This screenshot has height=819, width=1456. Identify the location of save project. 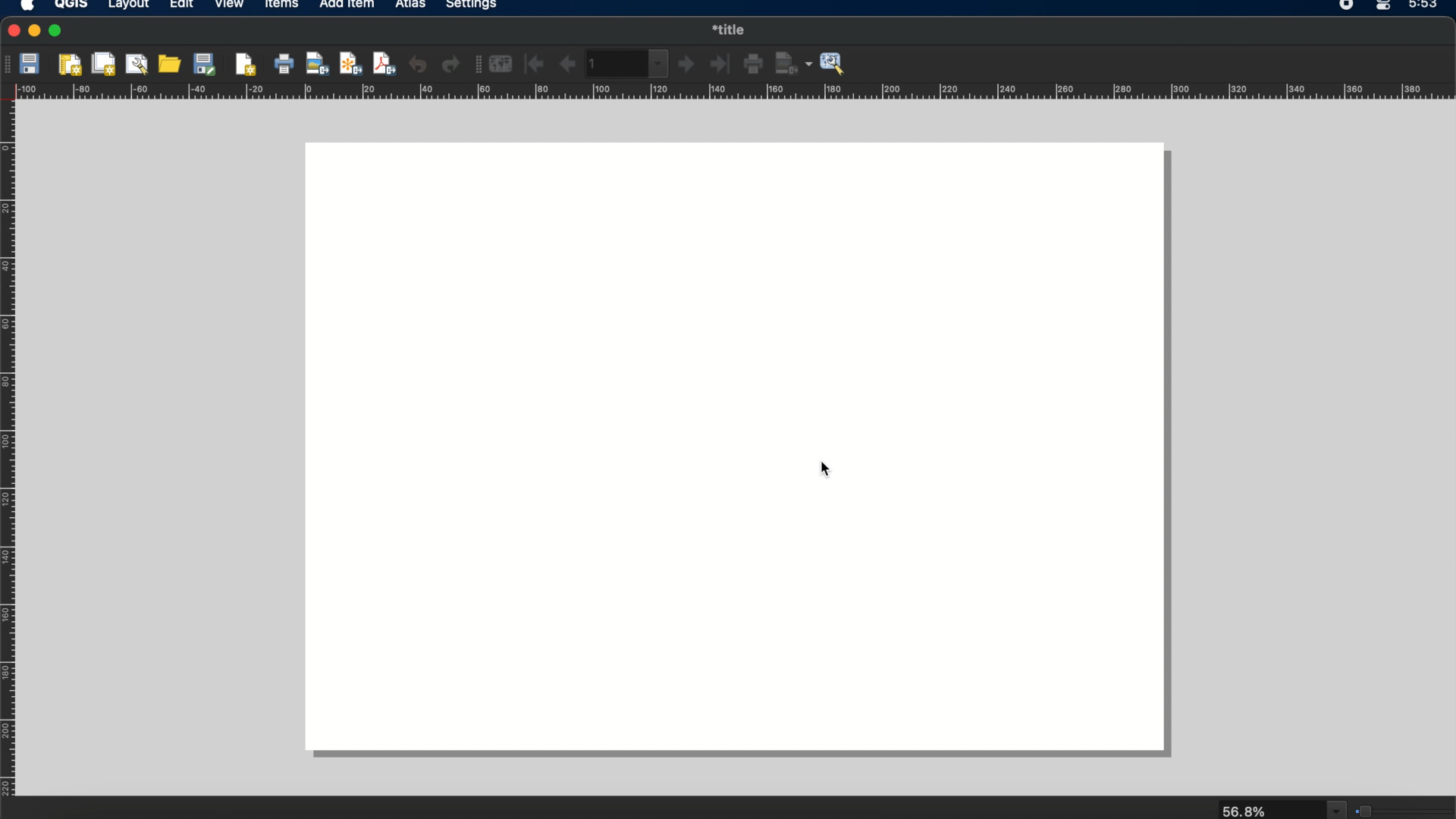
(30, 64).